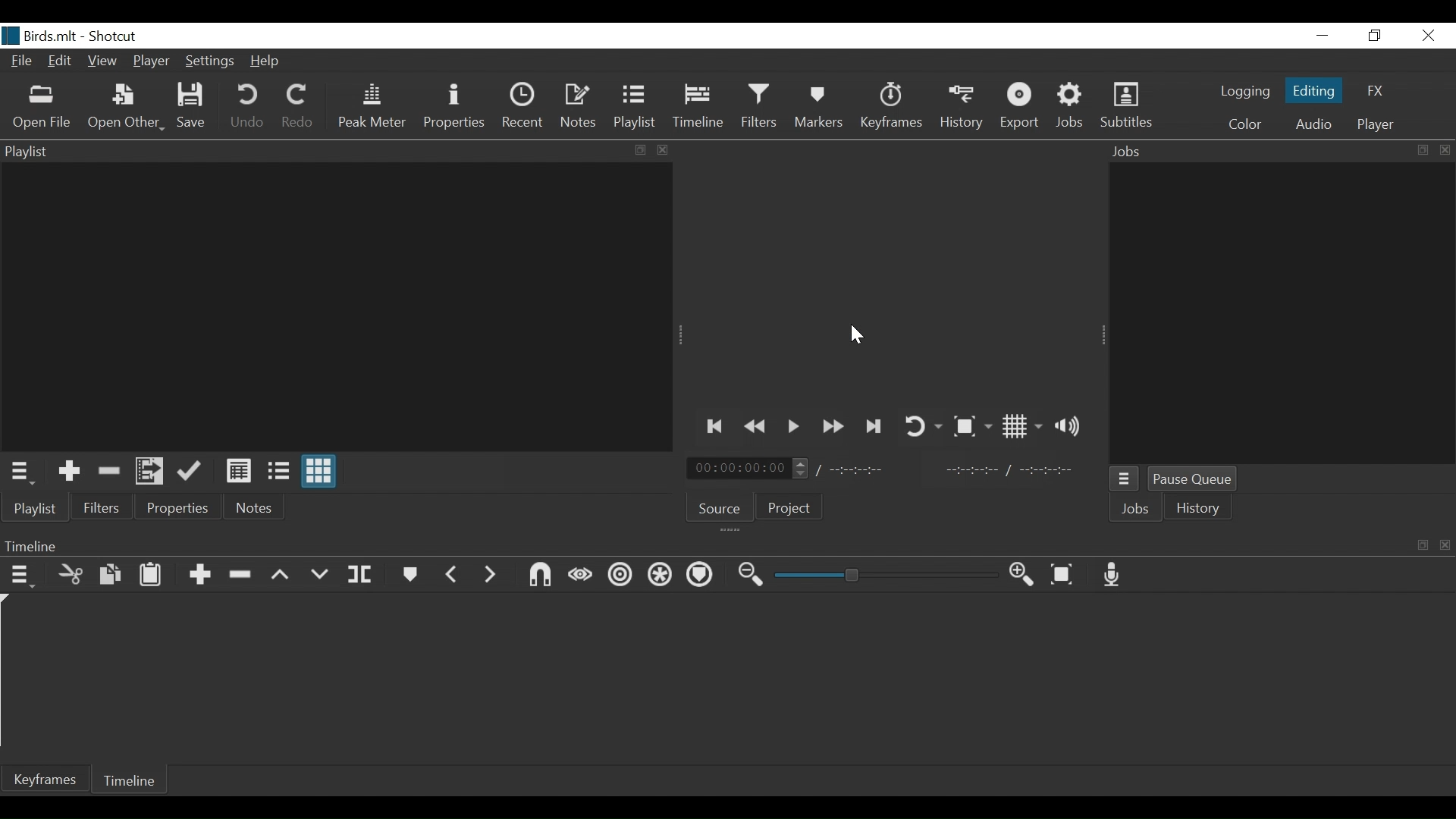  I want to click on Audio, so click(1313, 124).